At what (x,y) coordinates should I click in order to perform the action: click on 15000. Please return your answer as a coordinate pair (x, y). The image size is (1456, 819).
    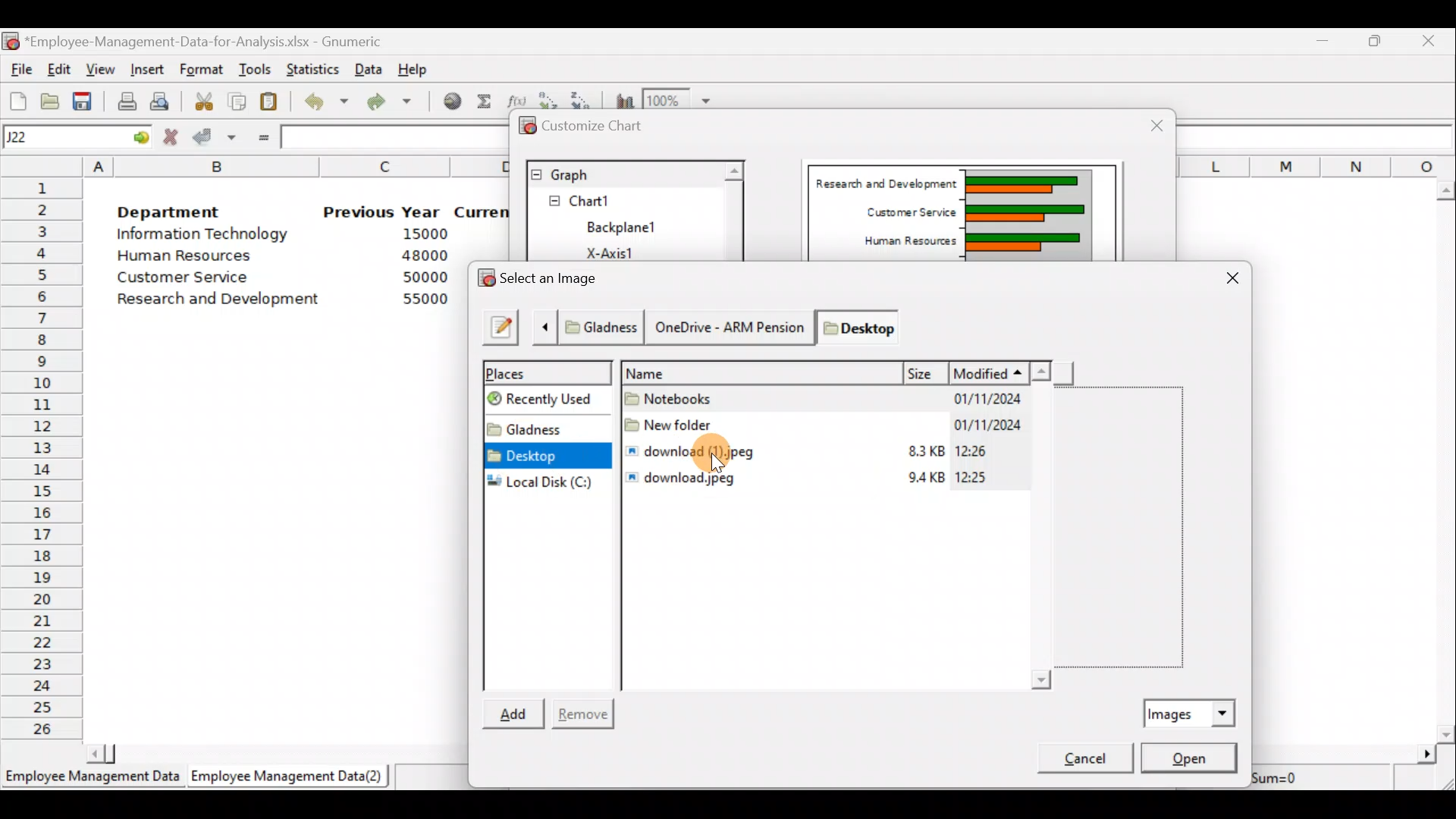
    Looking at the image, I should click on (420, 237).